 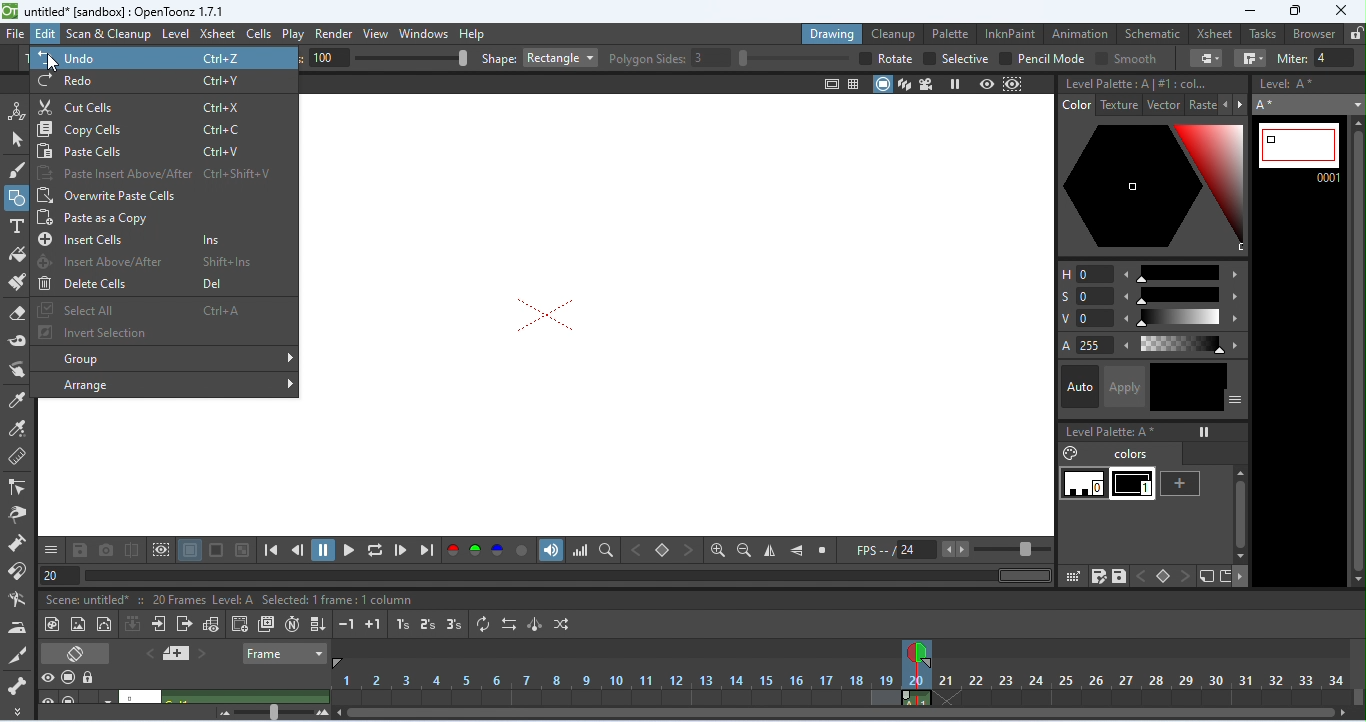 I want to click on swing, so click(x=534, y=624).